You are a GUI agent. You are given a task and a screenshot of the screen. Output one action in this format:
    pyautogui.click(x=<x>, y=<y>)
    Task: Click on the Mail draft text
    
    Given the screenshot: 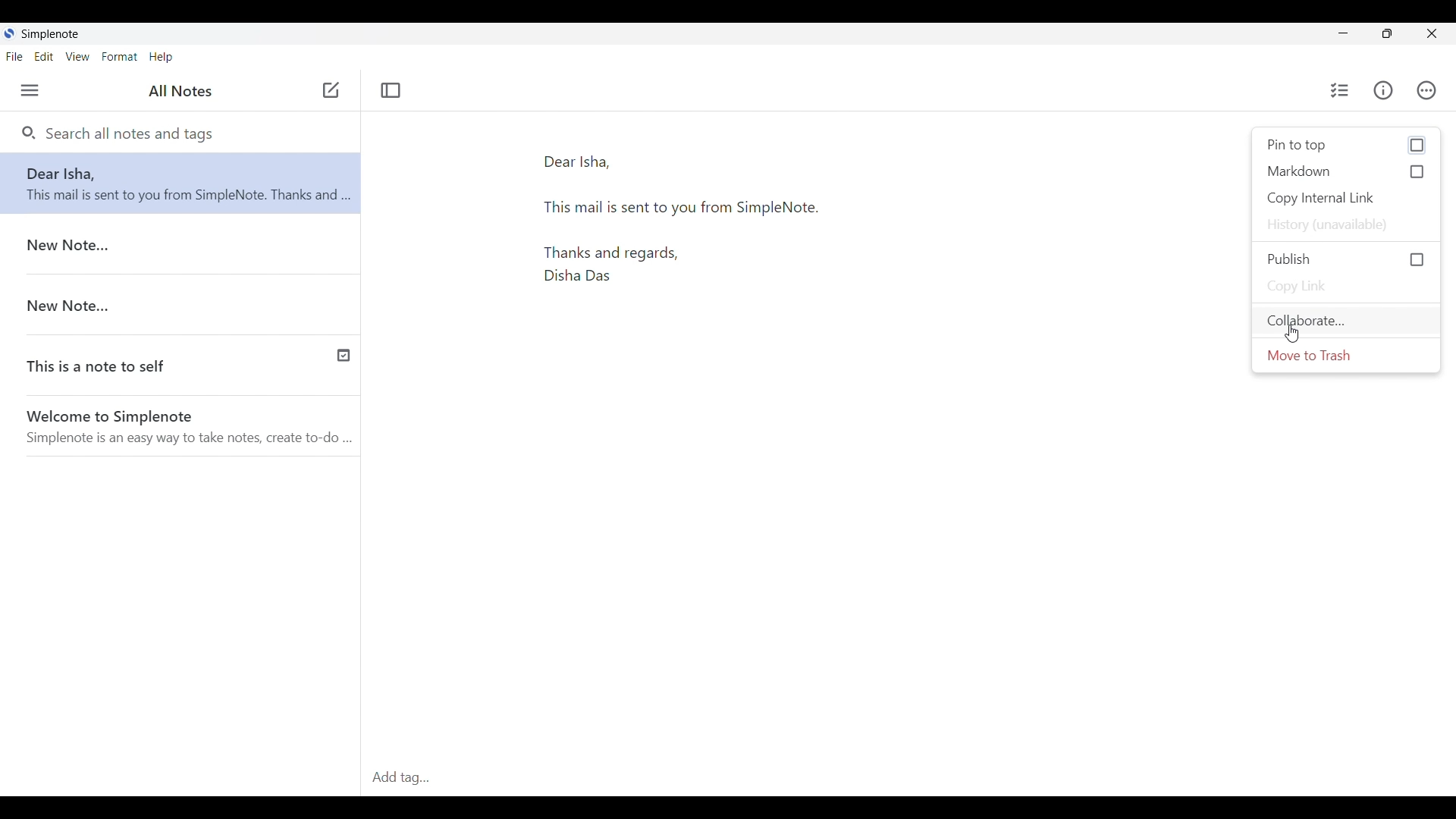 What is the action you would take?
    pyautogui.click(x=789, y=226)
    